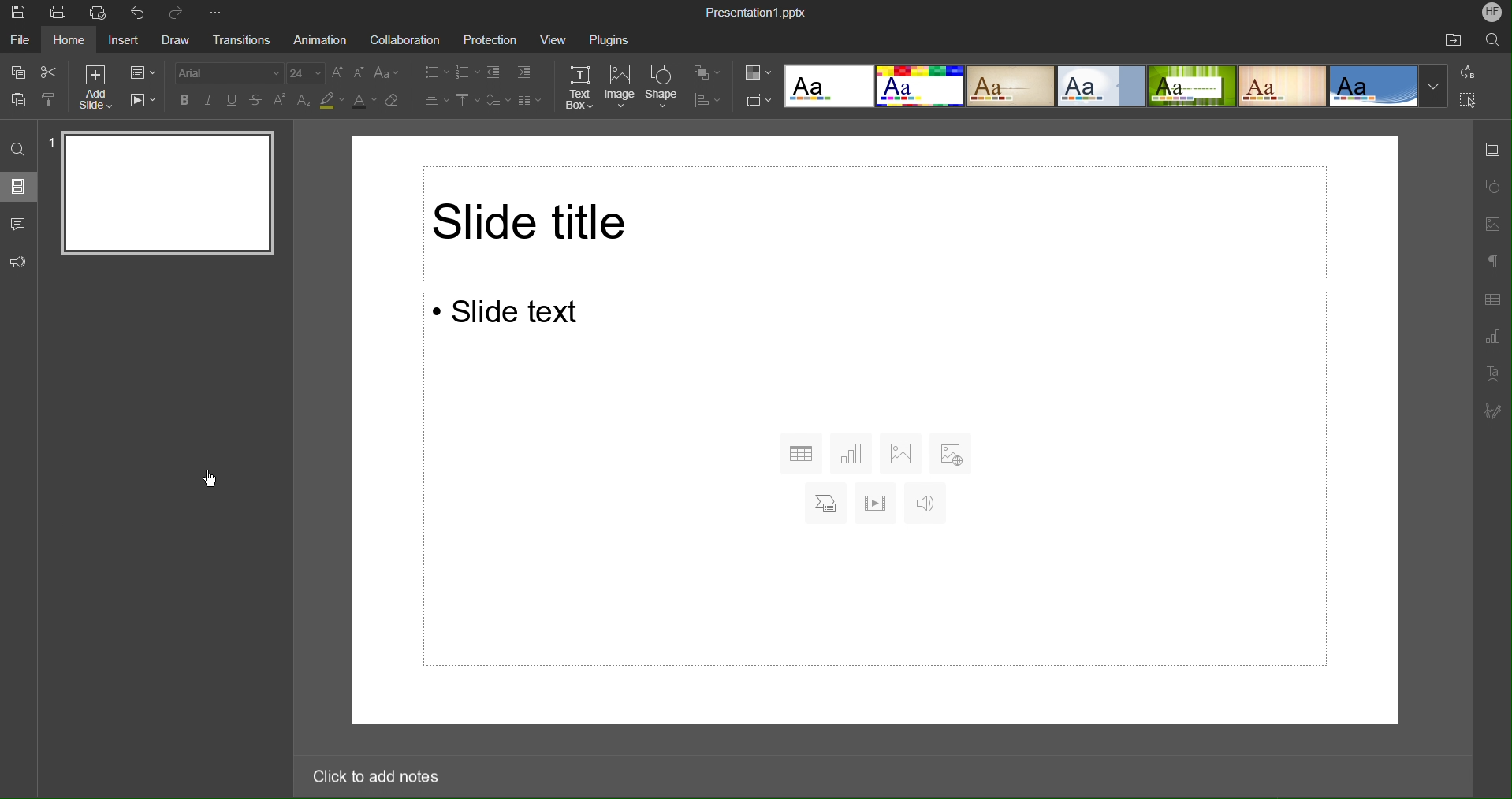 This screenshot has width=1512, height=799. I want to click on Slide Settings, so click(141, 70).